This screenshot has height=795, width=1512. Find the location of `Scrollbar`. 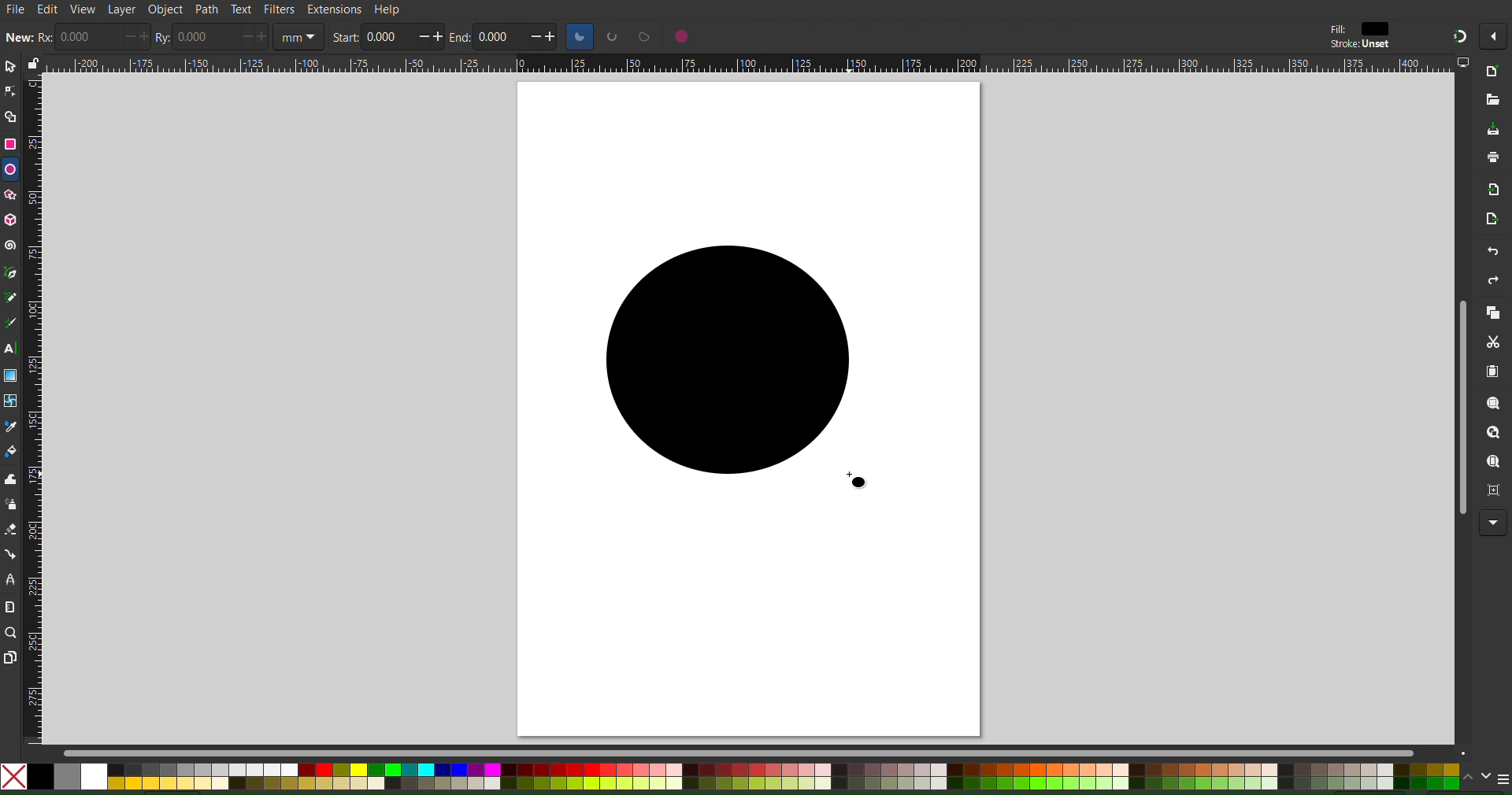

Scrollbar is located at coordinates (1461, 401).